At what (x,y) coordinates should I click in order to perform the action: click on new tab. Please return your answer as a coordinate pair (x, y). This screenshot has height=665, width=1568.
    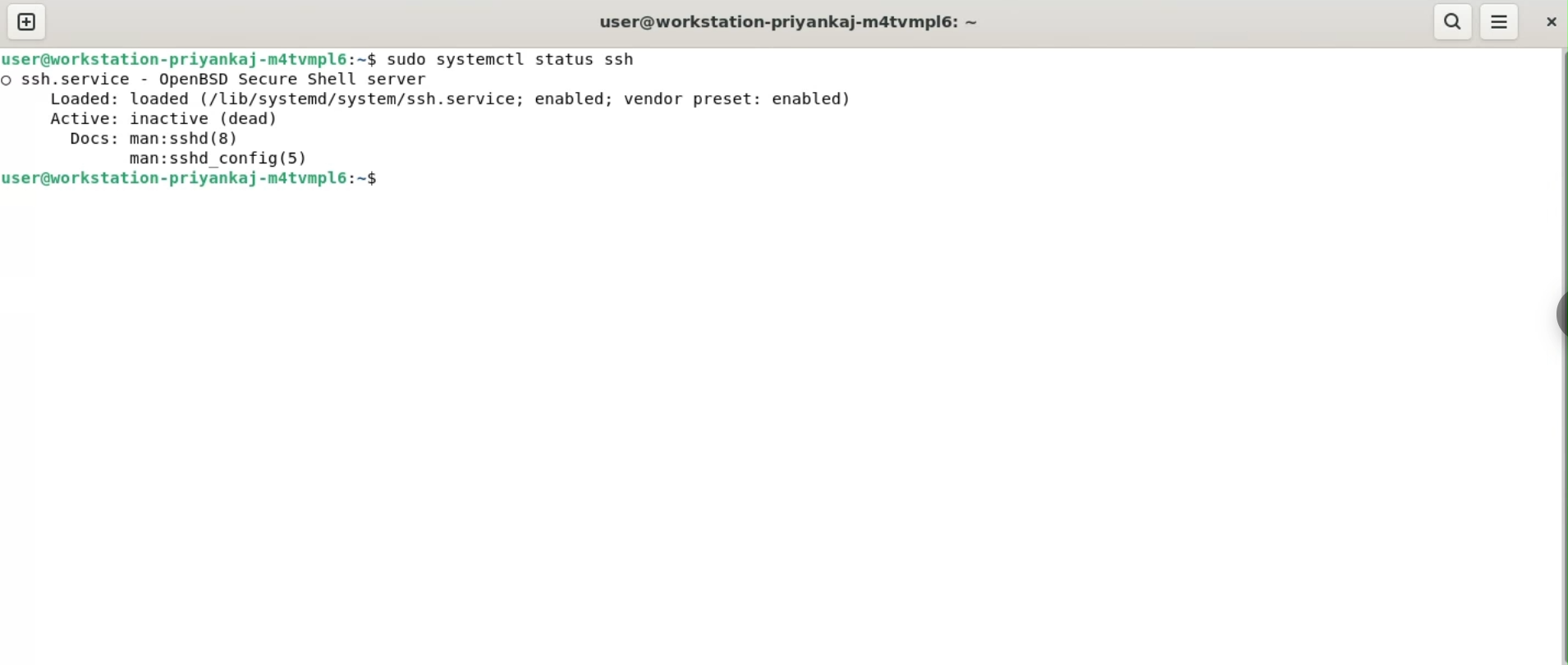
    Looking at the image, I should click on (34, 21).